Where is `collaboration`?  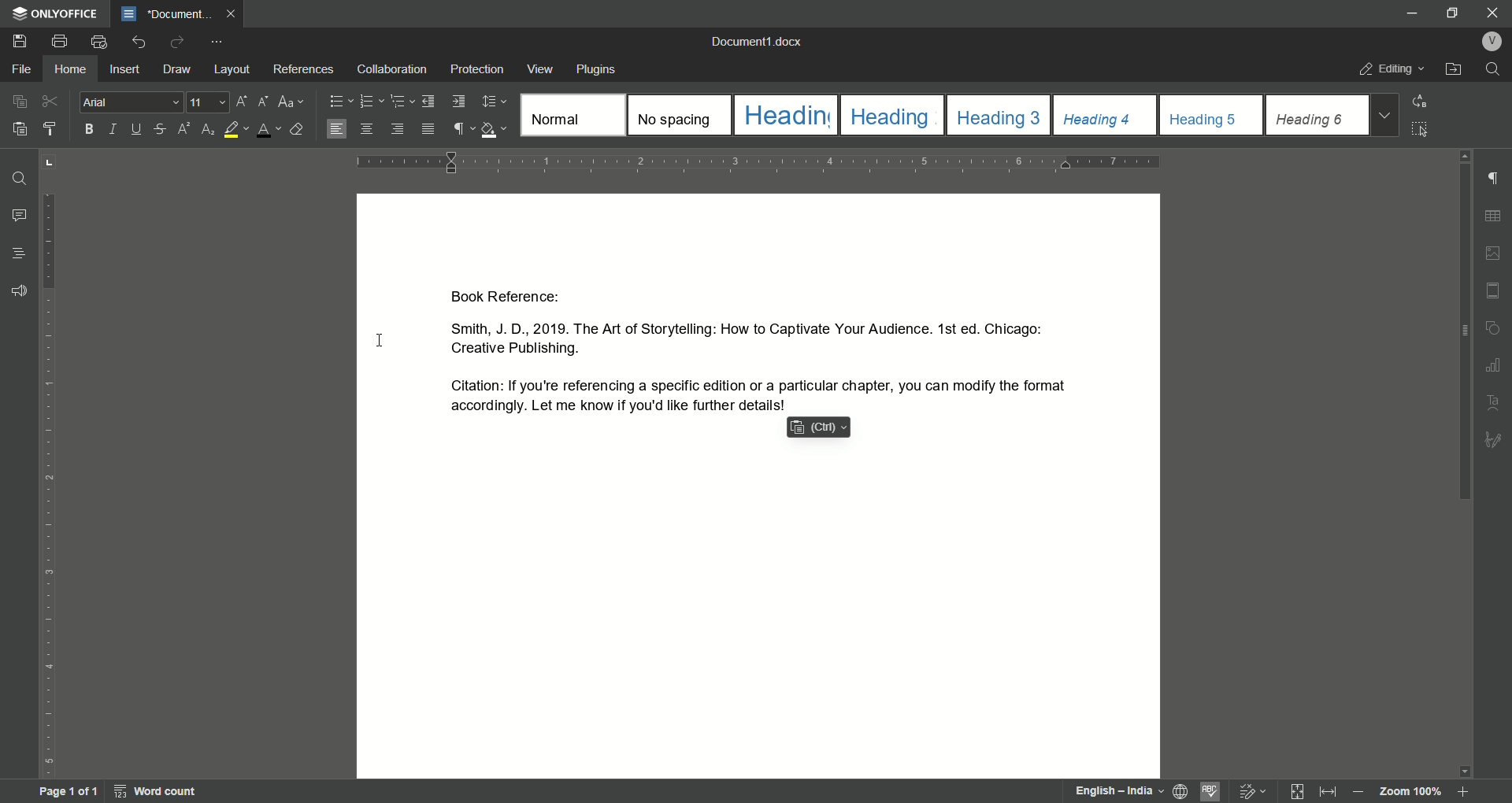 collaboration is located at coordinates (395, 69).